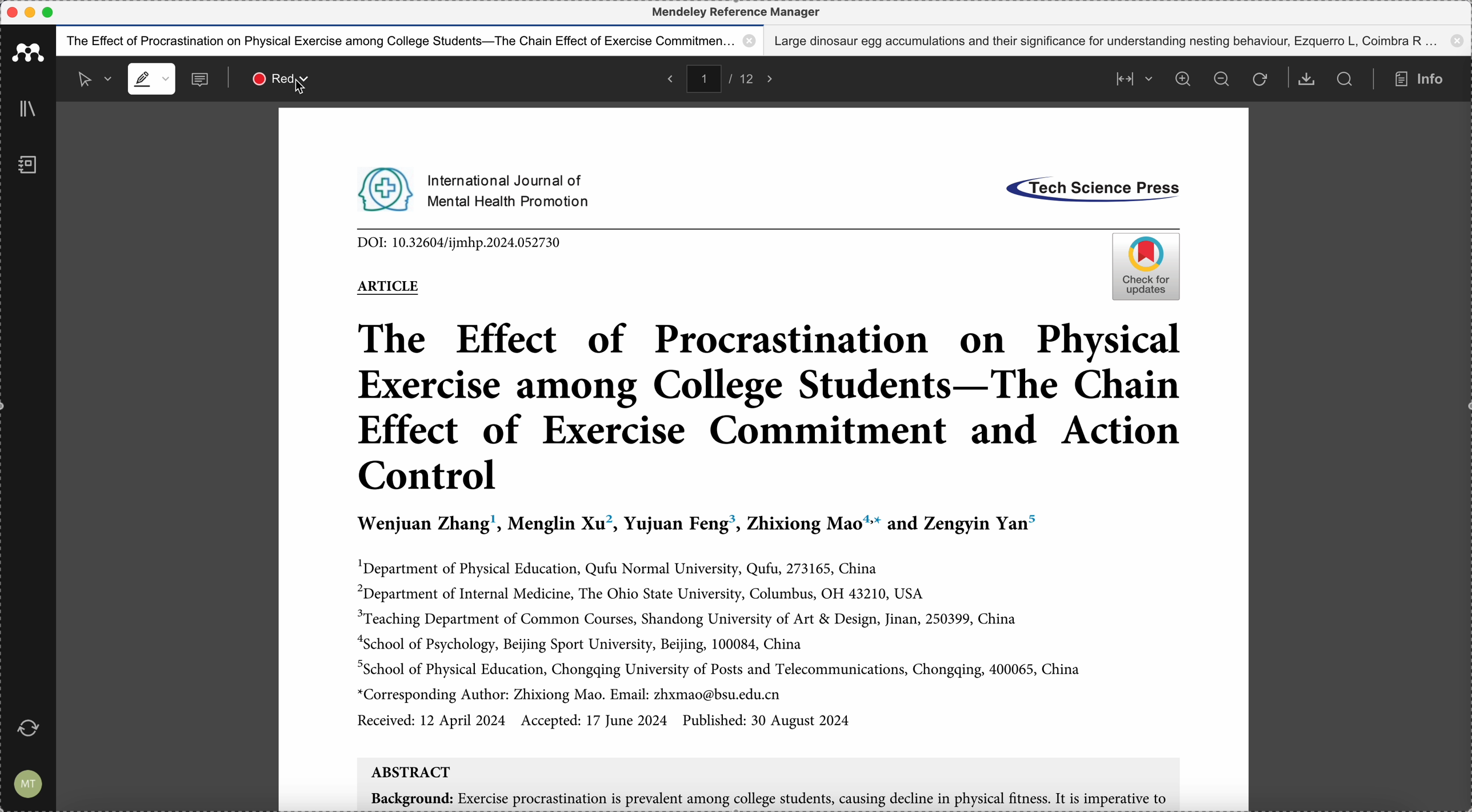 This screenshot has width=1472, height=812. Describe the element at coordinates (1423, 79) in the screenshot. I see `info` at that location.